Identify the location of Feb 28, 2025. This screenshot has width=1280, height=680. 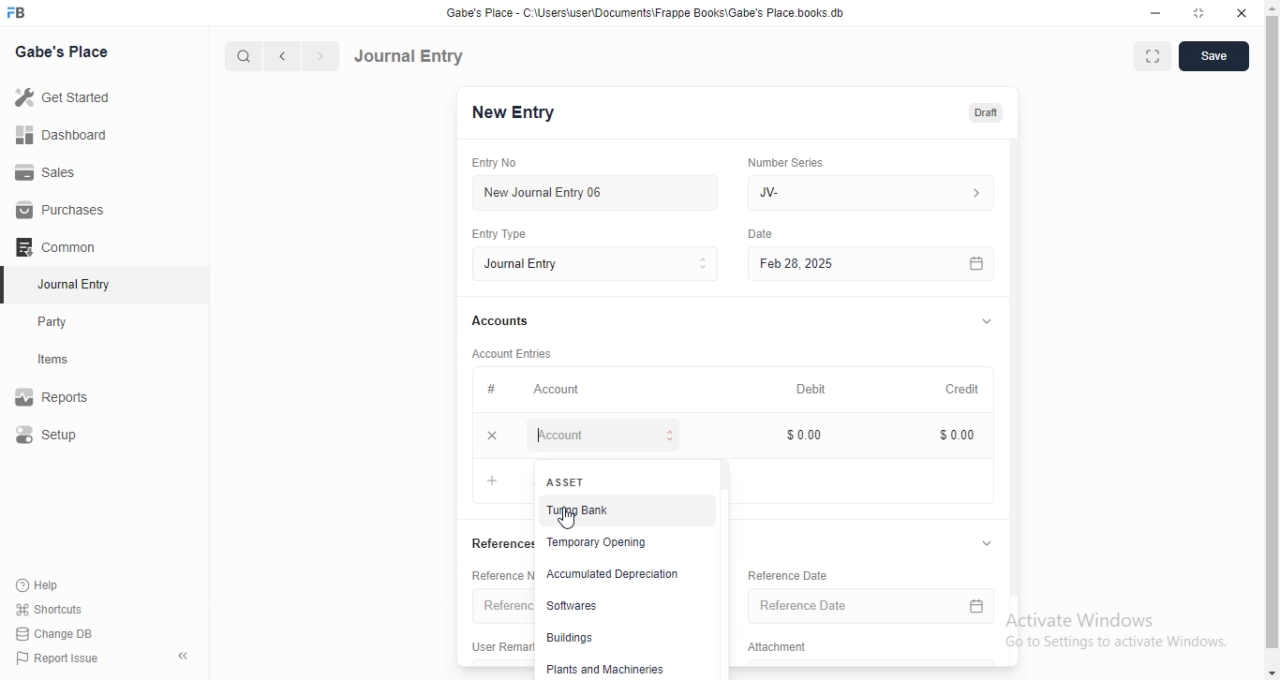
(860, 263).